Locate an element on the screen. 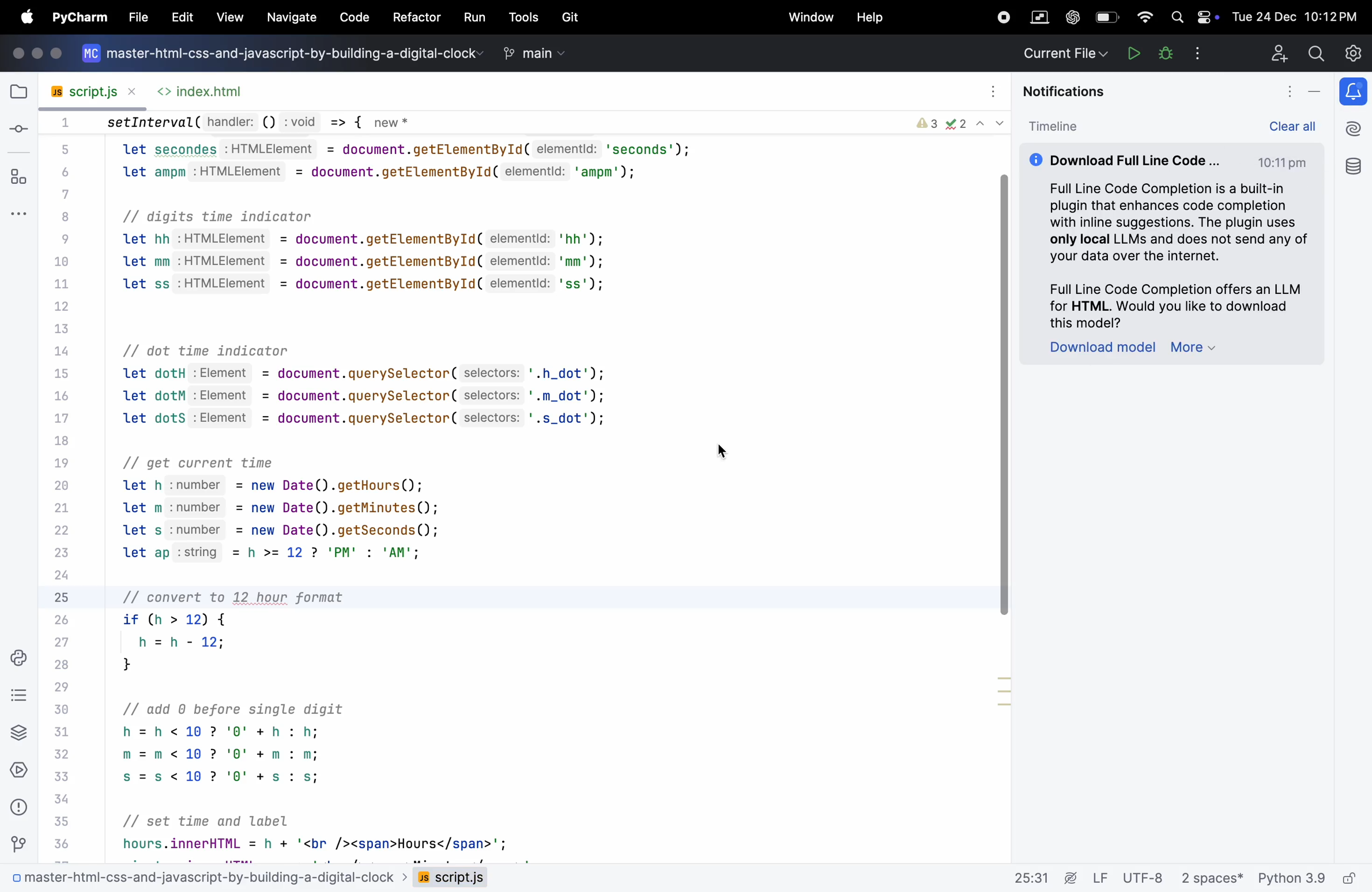 The width and height of the screenshot is (1372, 892). 10:11pm is located at coordinates (1284, 162).